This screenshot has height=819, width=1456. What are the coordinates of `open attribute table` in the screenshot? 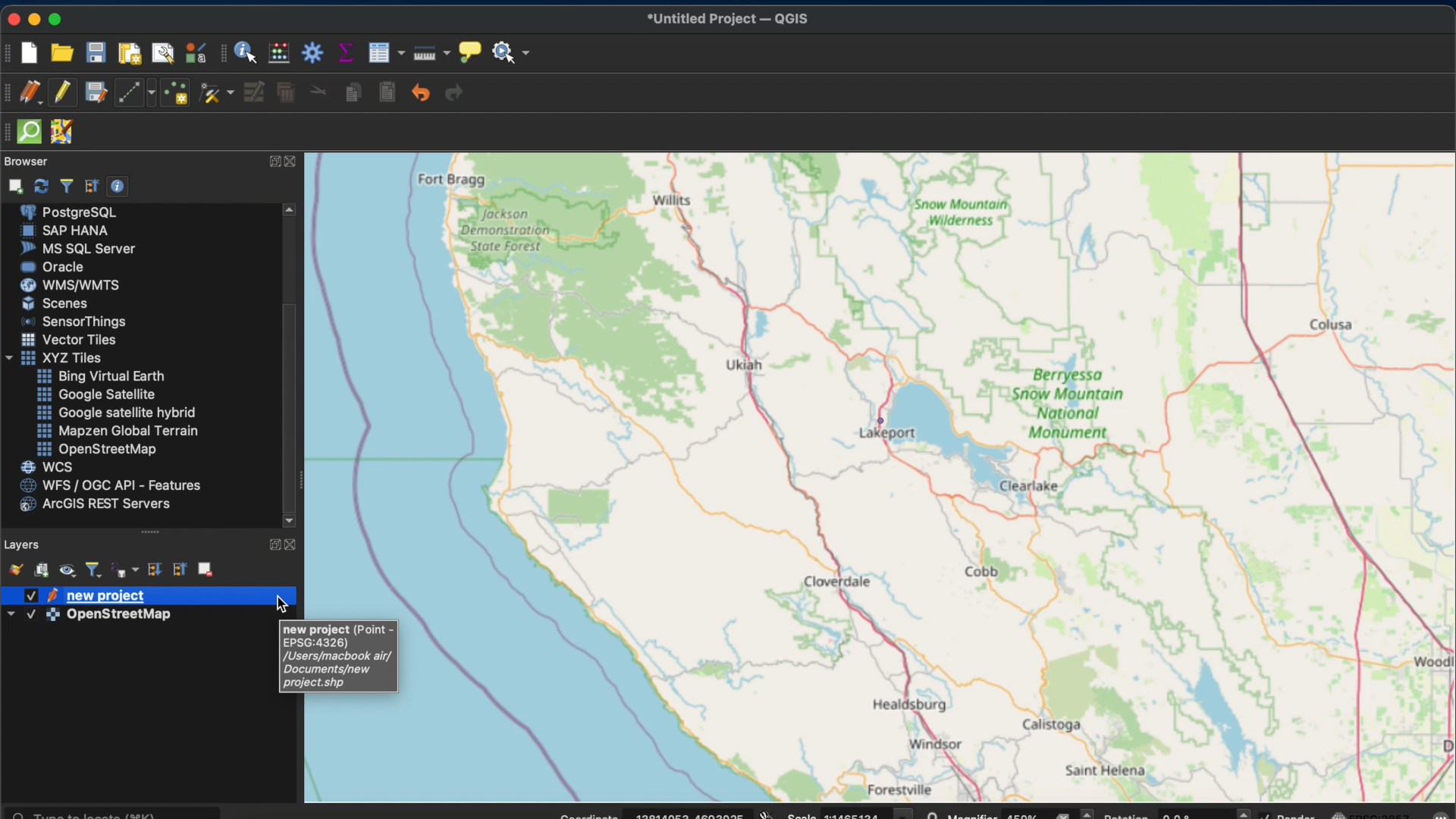 It's located at (385, 52).